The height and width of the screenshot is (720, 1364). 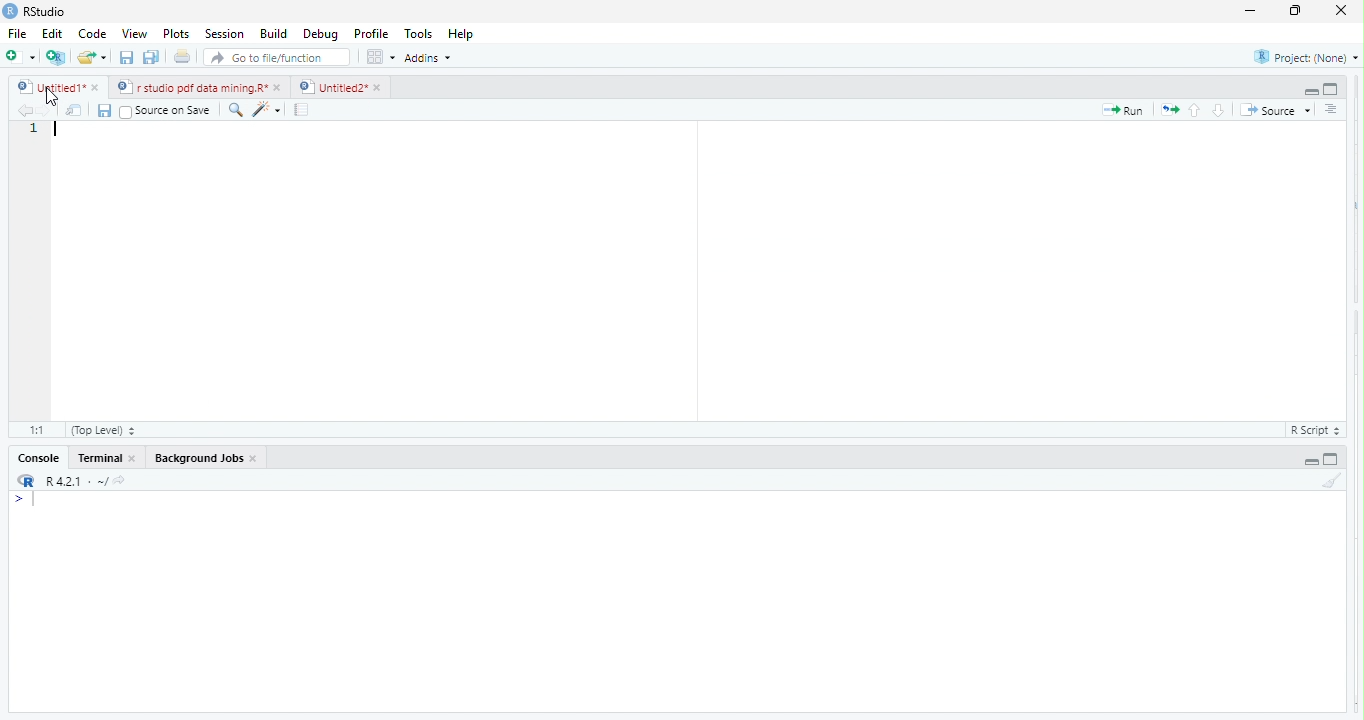 I want to click on new file, so click(x=20, y=56).